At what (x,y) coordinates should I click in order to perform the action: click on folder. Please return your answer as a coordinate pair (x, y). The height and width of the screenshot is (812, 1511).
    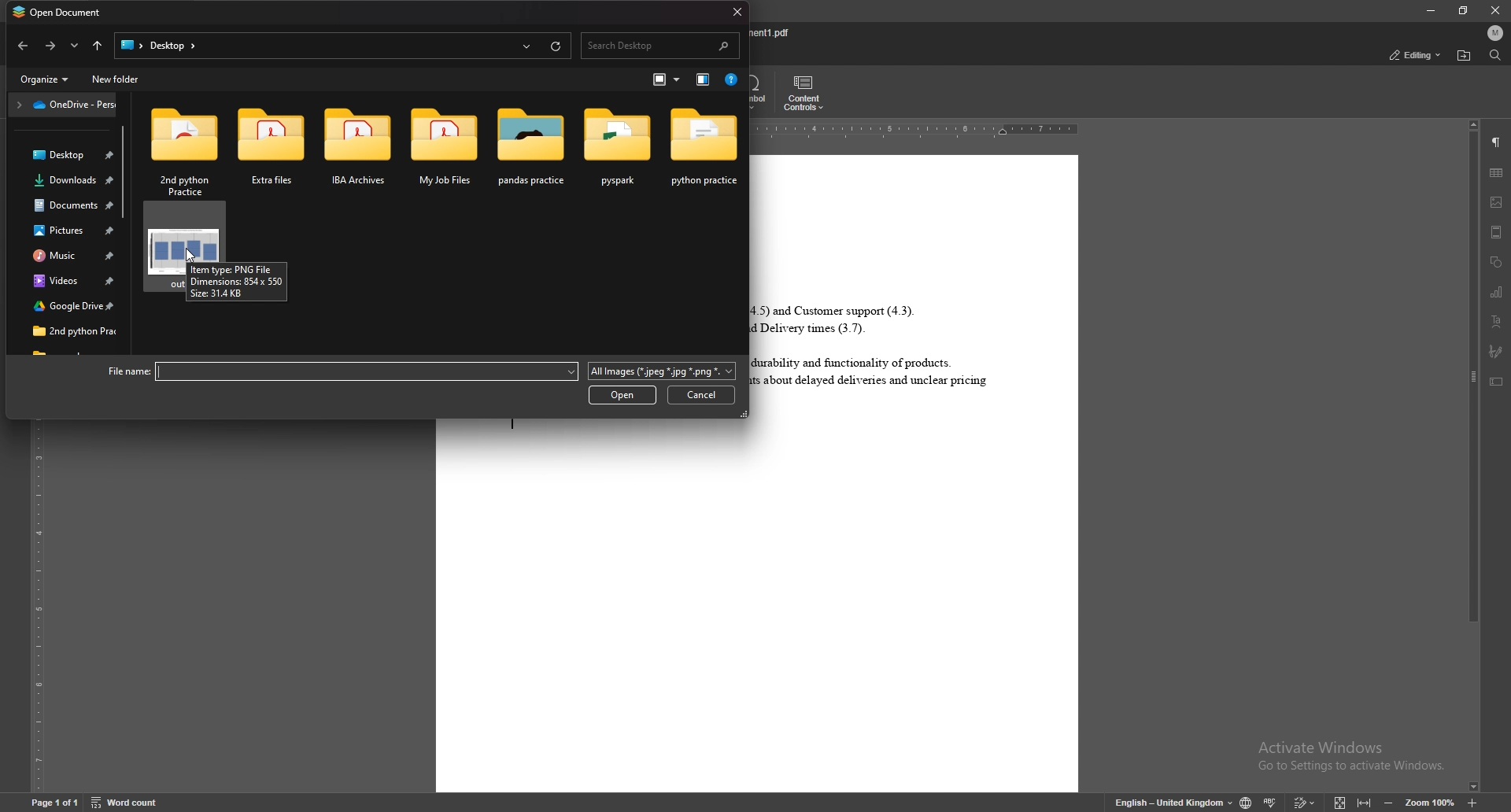
    Looking at the image, I should click on (704, 147).